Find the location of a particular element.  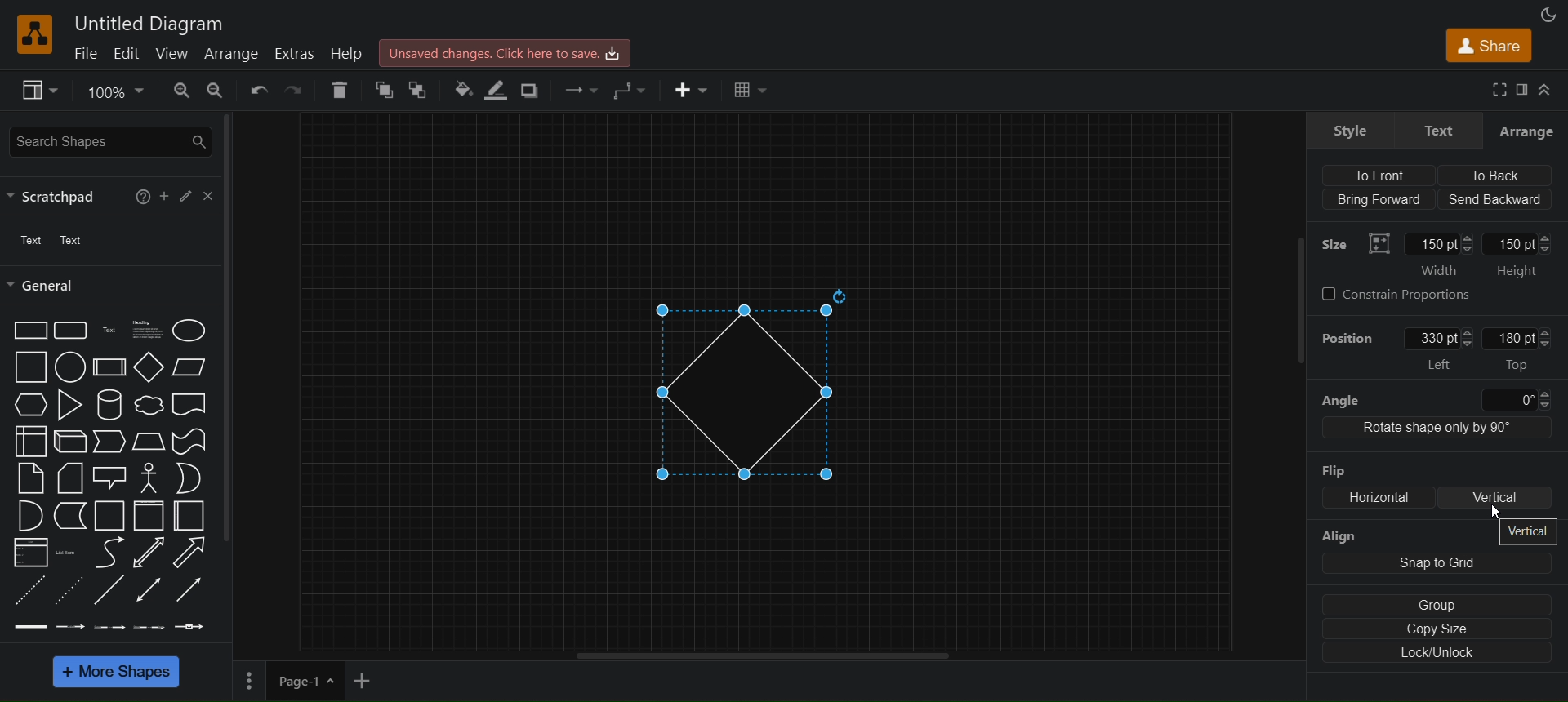

align is located at coordinates (1344, 535).